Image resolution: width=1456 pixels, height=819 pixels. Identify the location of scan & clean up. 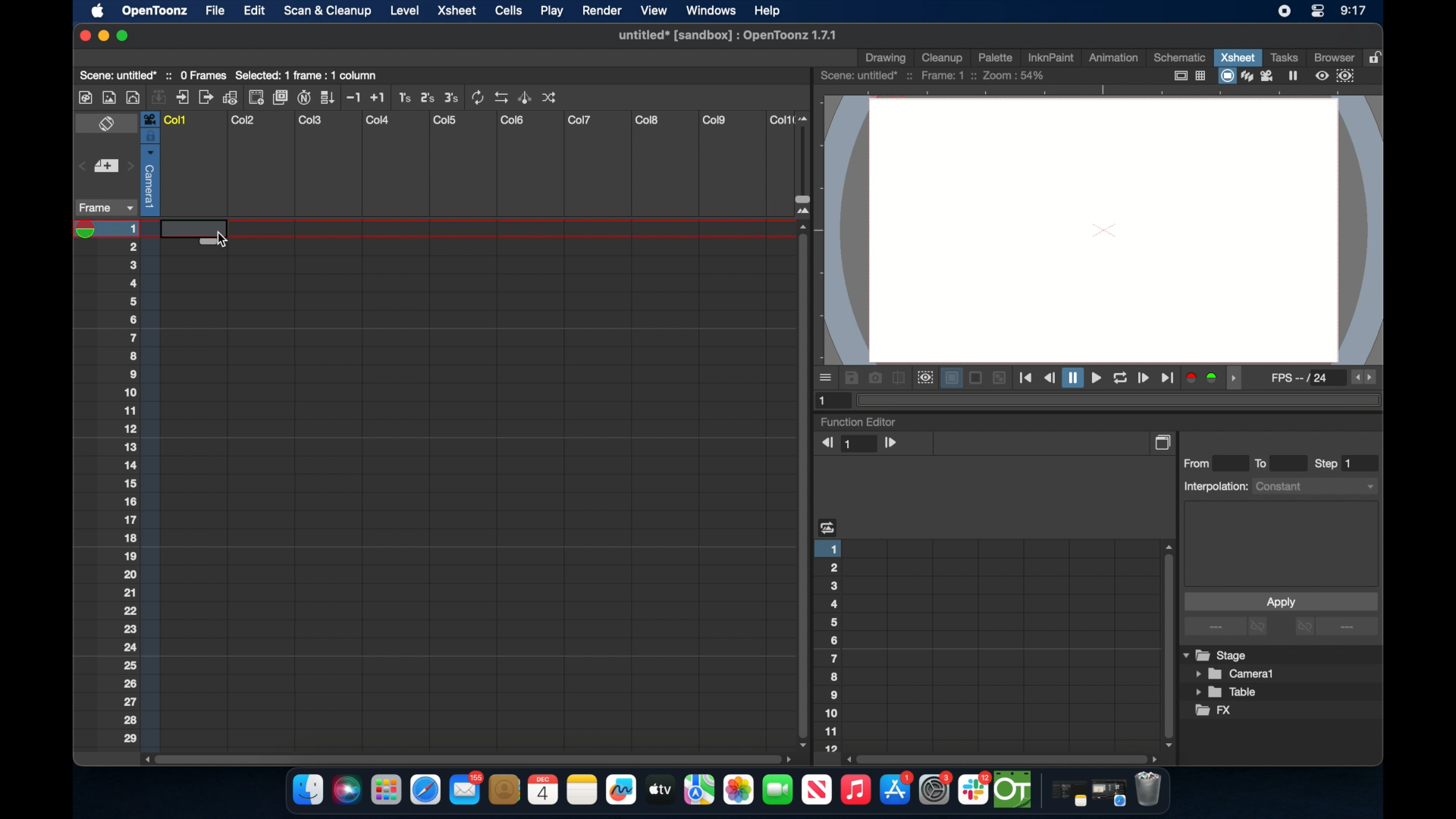
(327, 12).